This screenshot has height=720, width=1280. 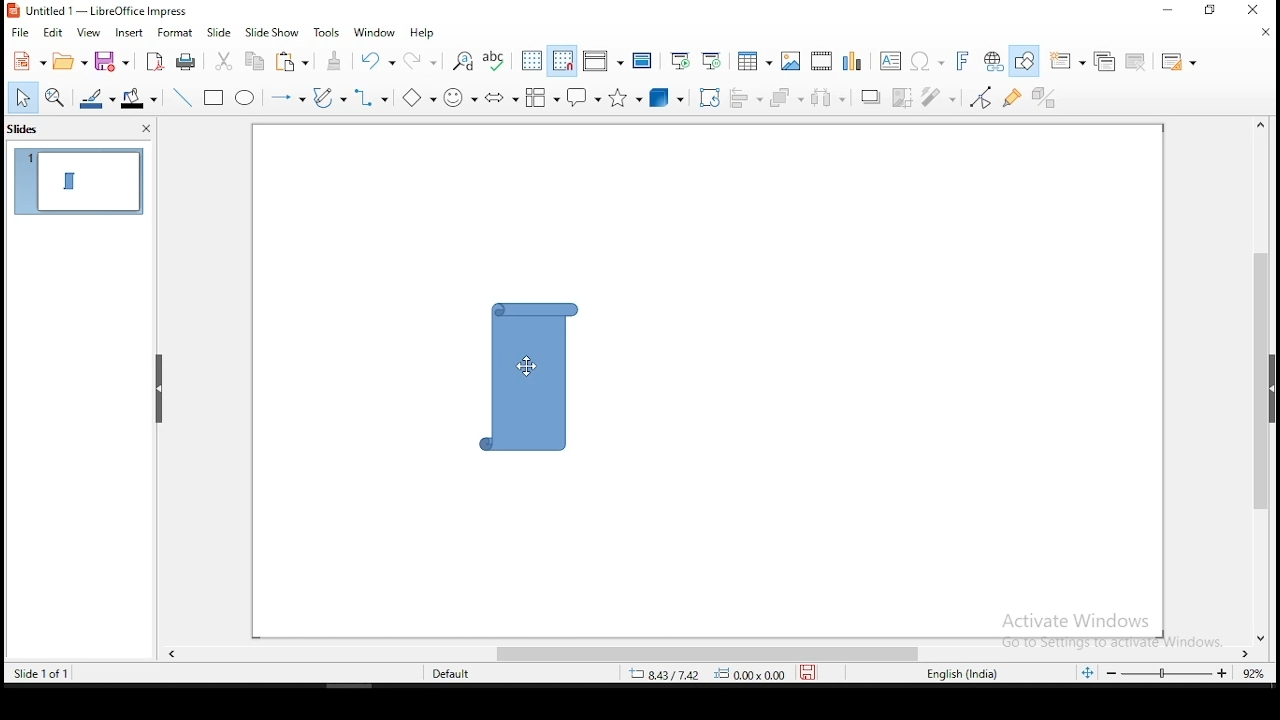 What do you see at coordinates (1088, 673) in the screenshot?
I see `fit slide to current window` at bounding box center [1088, 673].